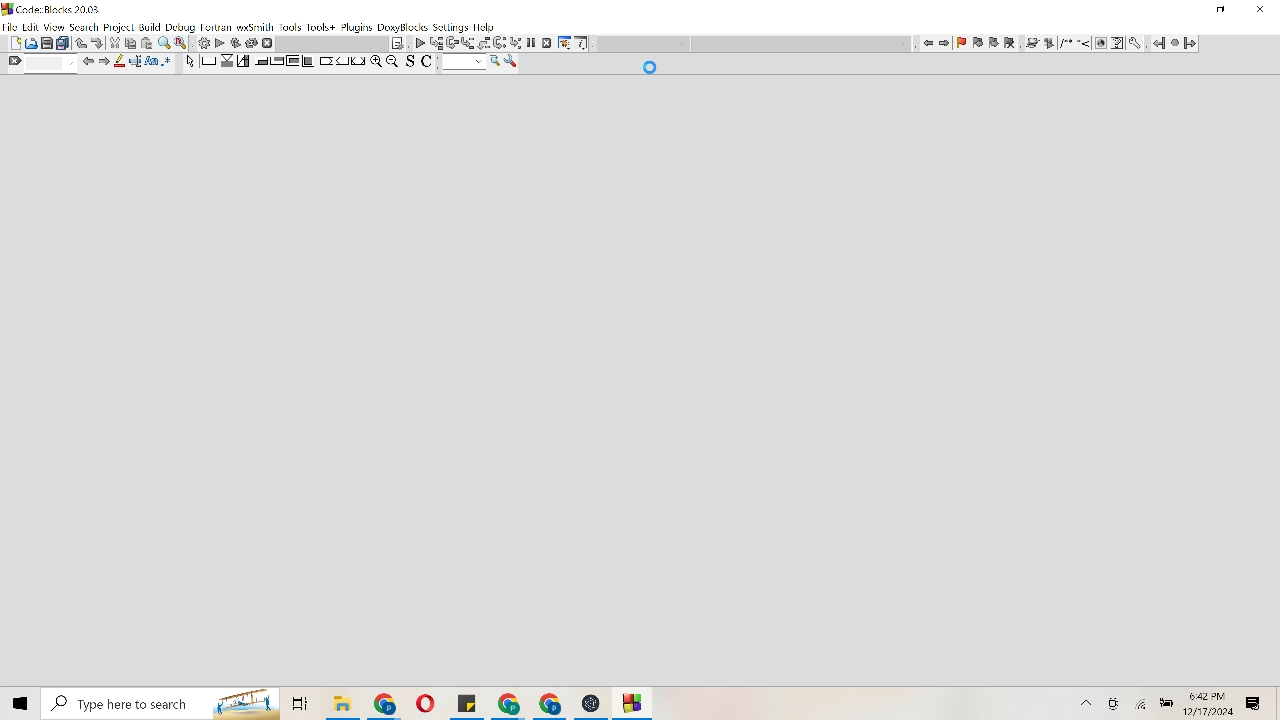 This screenshot has width=1280, height=720. Describe the element at coordinates (1174, 44) in the screenshot. I see `Pause` at that location.